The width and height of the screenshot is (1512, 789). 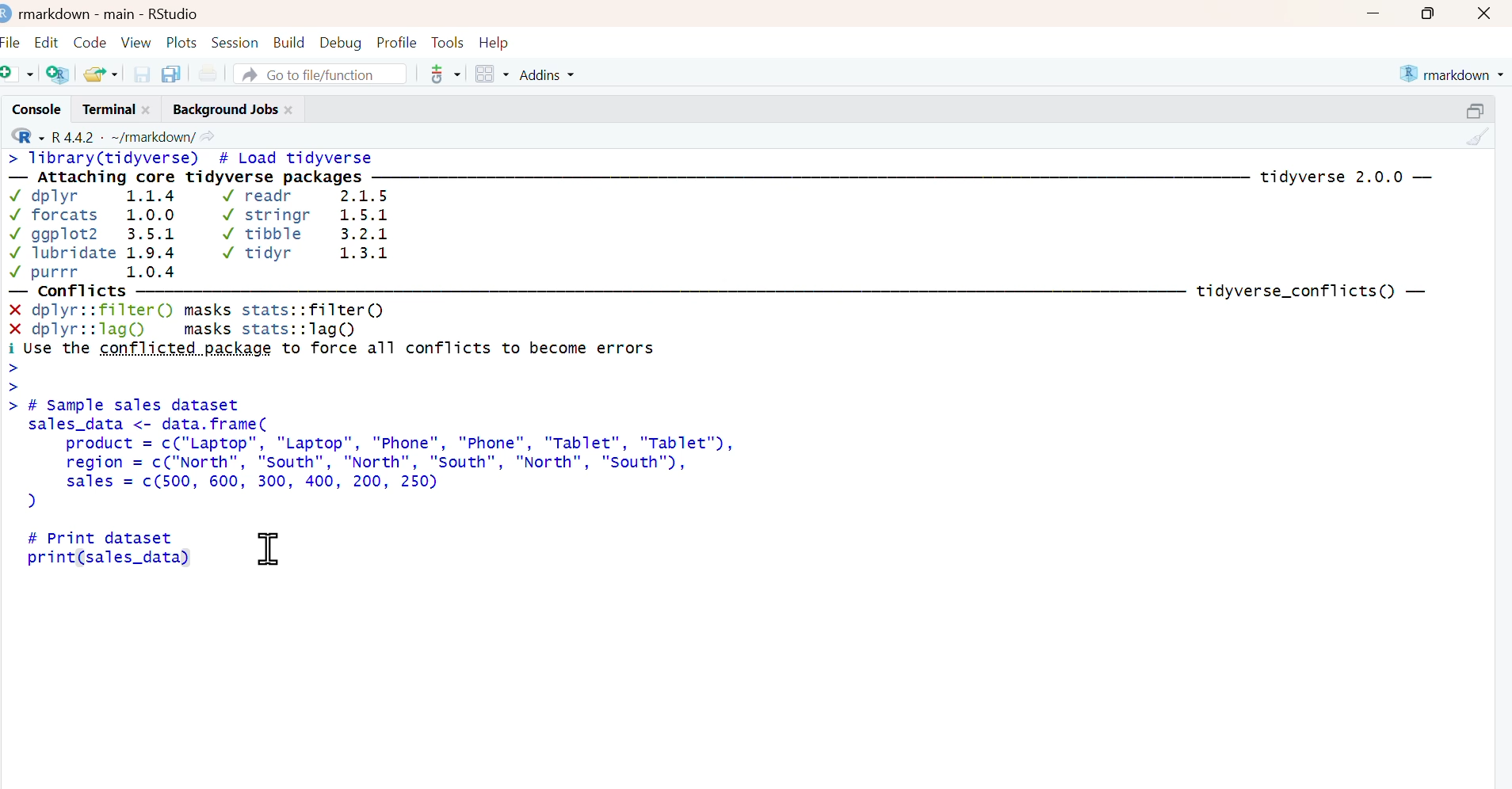 What do you see at coordinates (290, 39) in the screenshot?
I see `Build` at bounding box center [290, 39].